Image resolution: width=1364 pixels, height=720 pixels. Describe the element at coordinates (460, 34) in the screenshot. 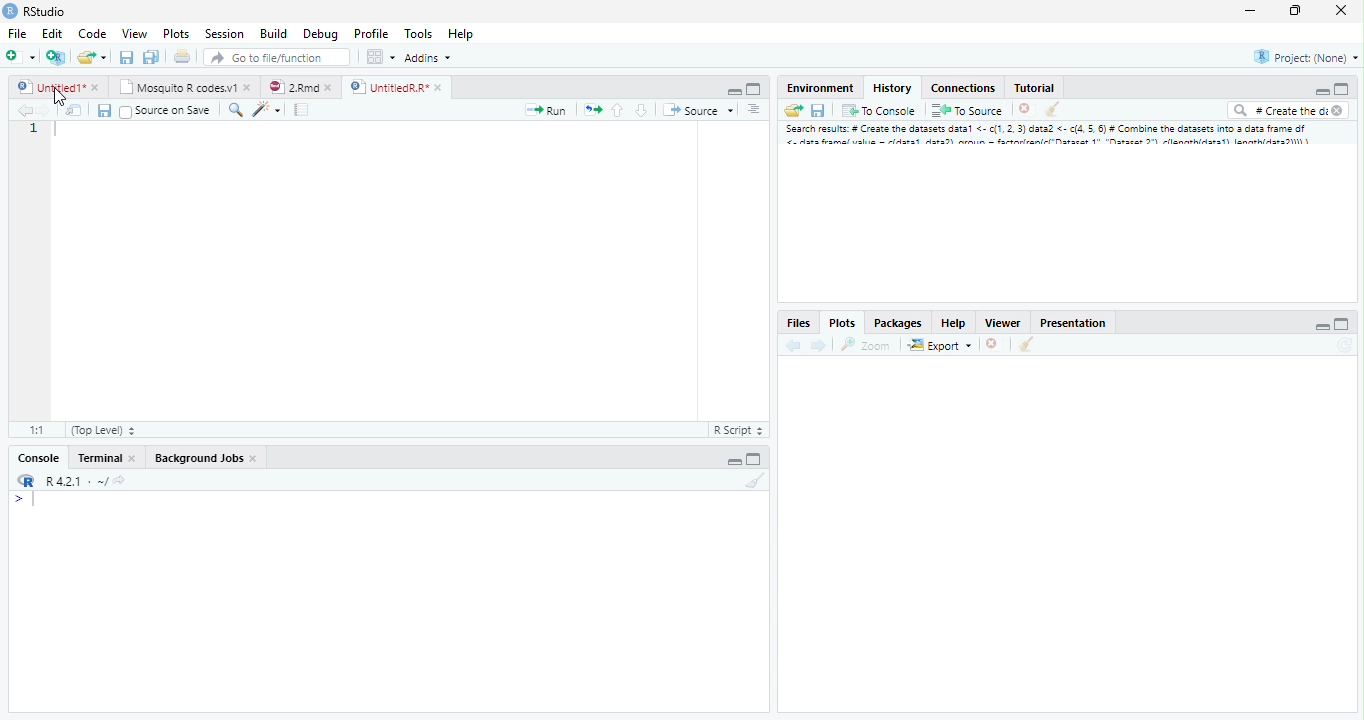

I see `Help` at that location.